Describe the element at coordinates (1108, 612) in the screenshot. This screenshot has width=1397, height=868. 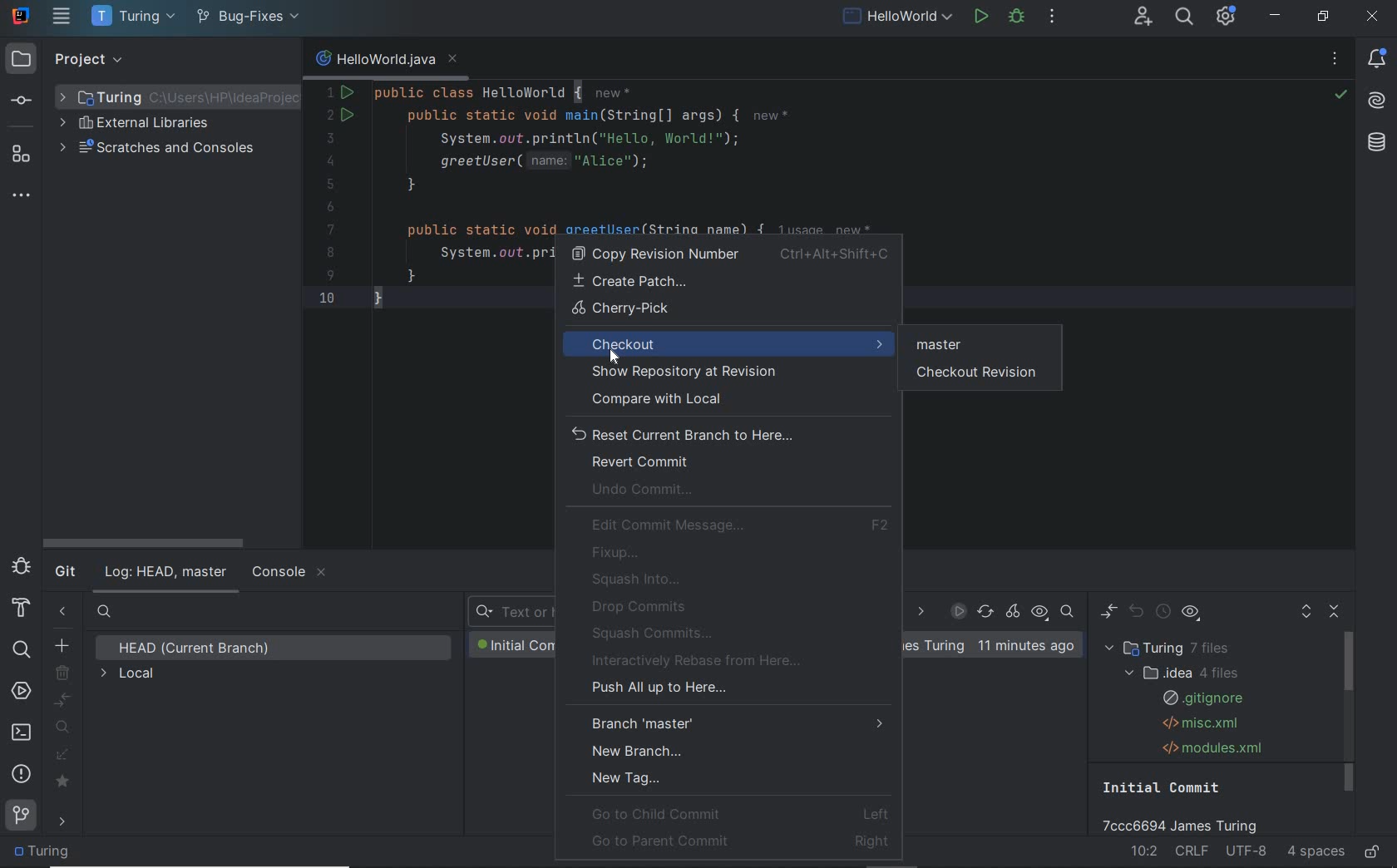
I see `show diff` at that location.